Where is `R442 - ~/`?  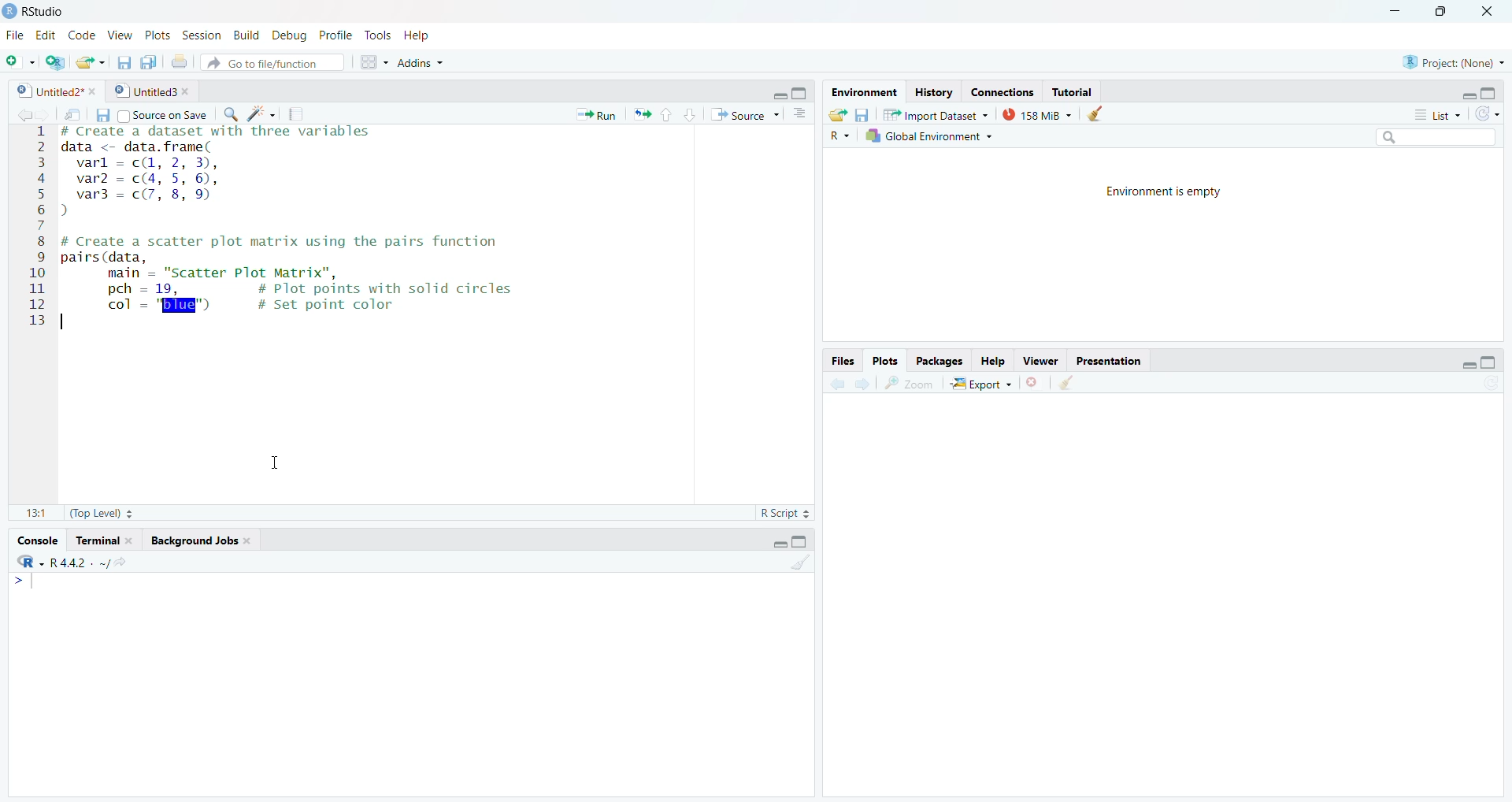
R442 - ~/ is located at coordinates (97, 561).